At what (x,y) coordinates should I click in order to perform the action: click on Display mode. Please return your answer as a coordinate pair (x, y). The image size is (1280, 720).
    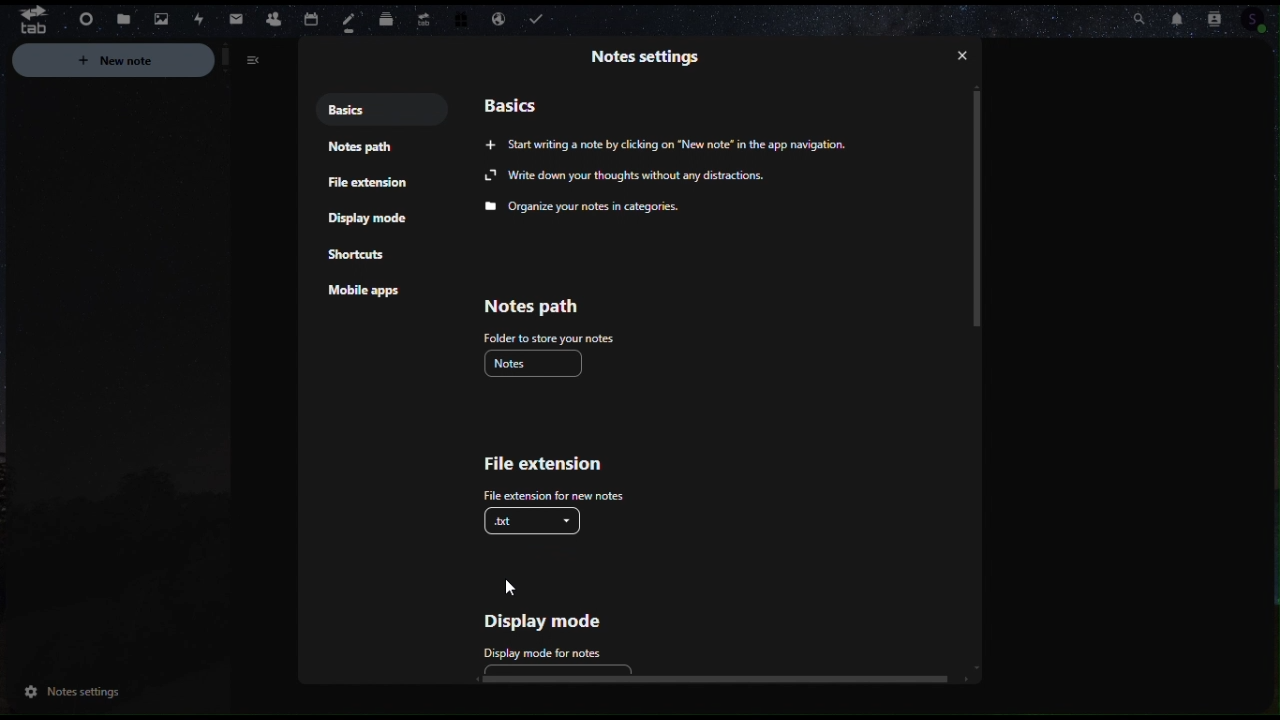
    Looking at the image, I should click on (371, 219).